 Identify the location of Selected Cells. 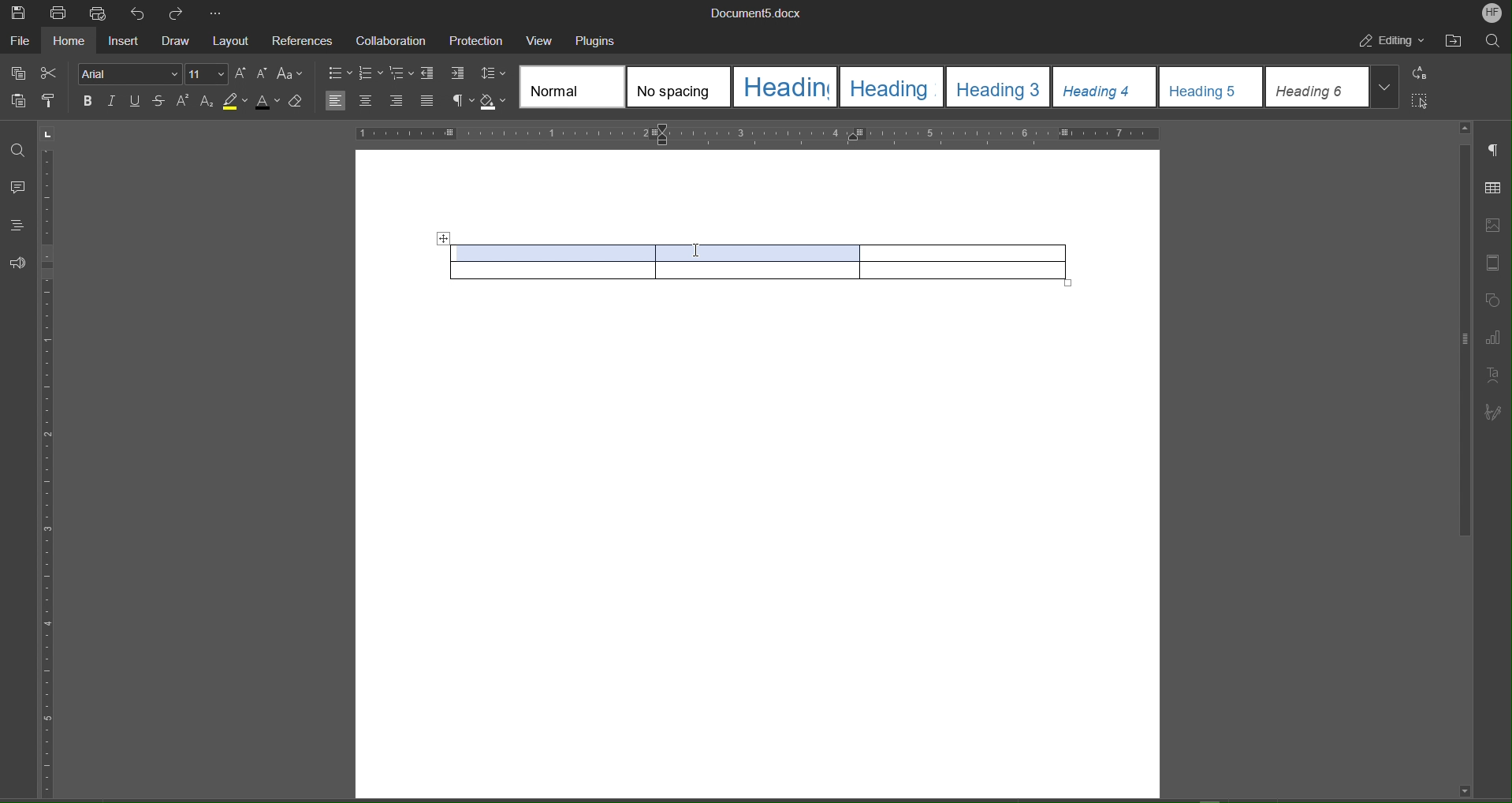
(663, 250).